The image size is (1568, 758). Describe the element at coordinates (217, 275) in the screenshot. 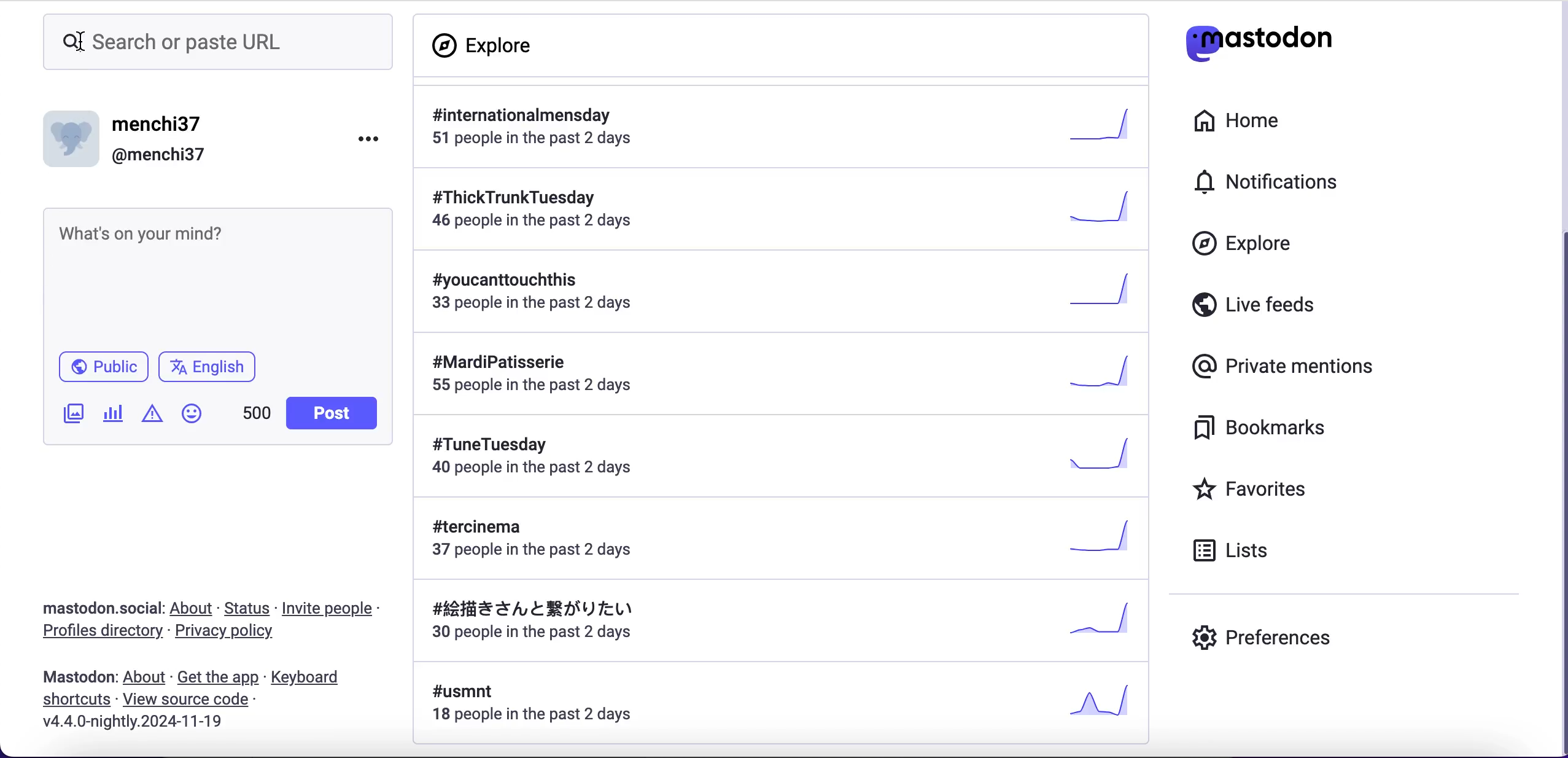

I see `post what's on your mind` at that location.